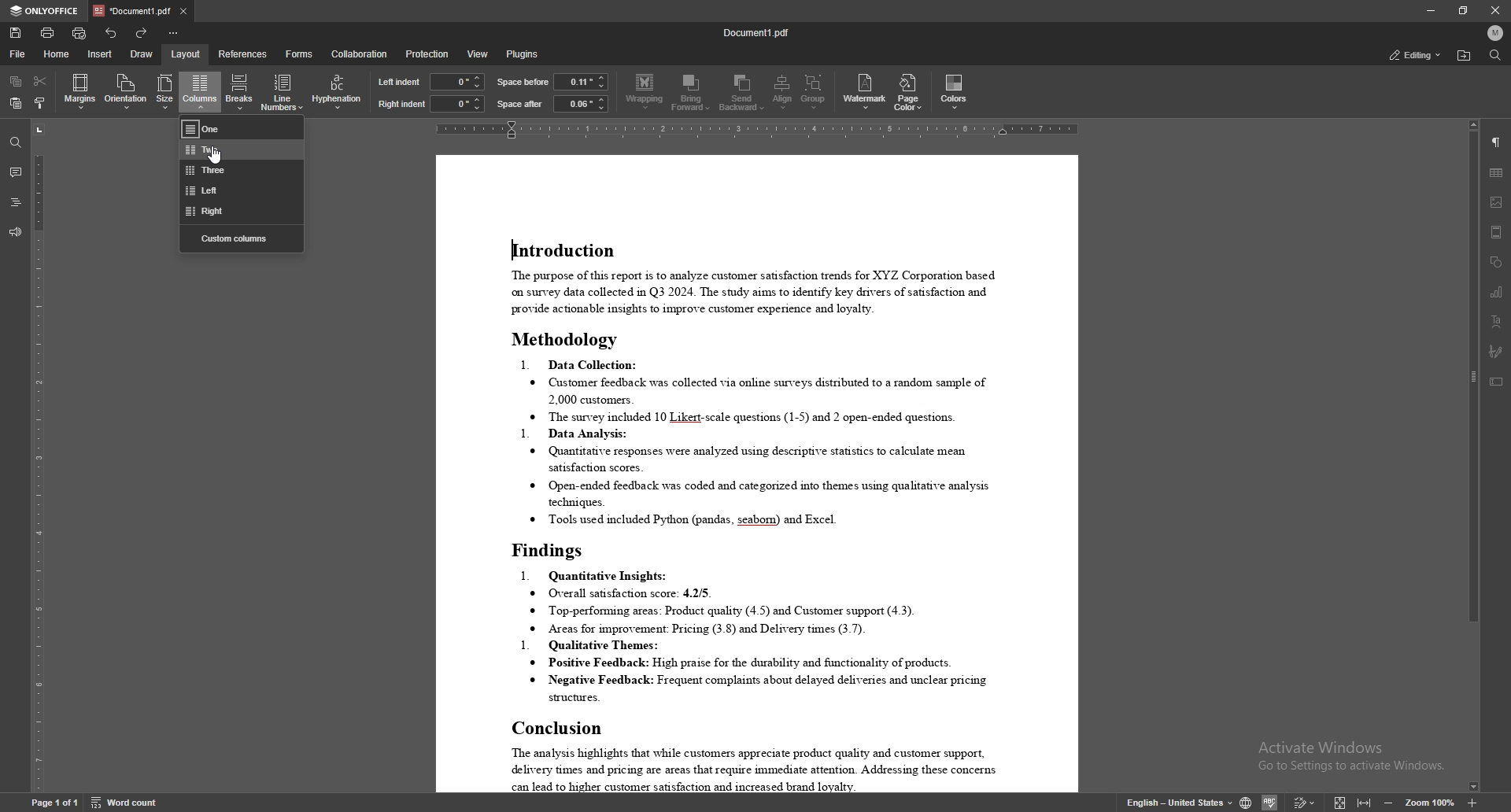 The height and width of the screenshot is (812, 1511). I want to click on save, so click(15, 33).